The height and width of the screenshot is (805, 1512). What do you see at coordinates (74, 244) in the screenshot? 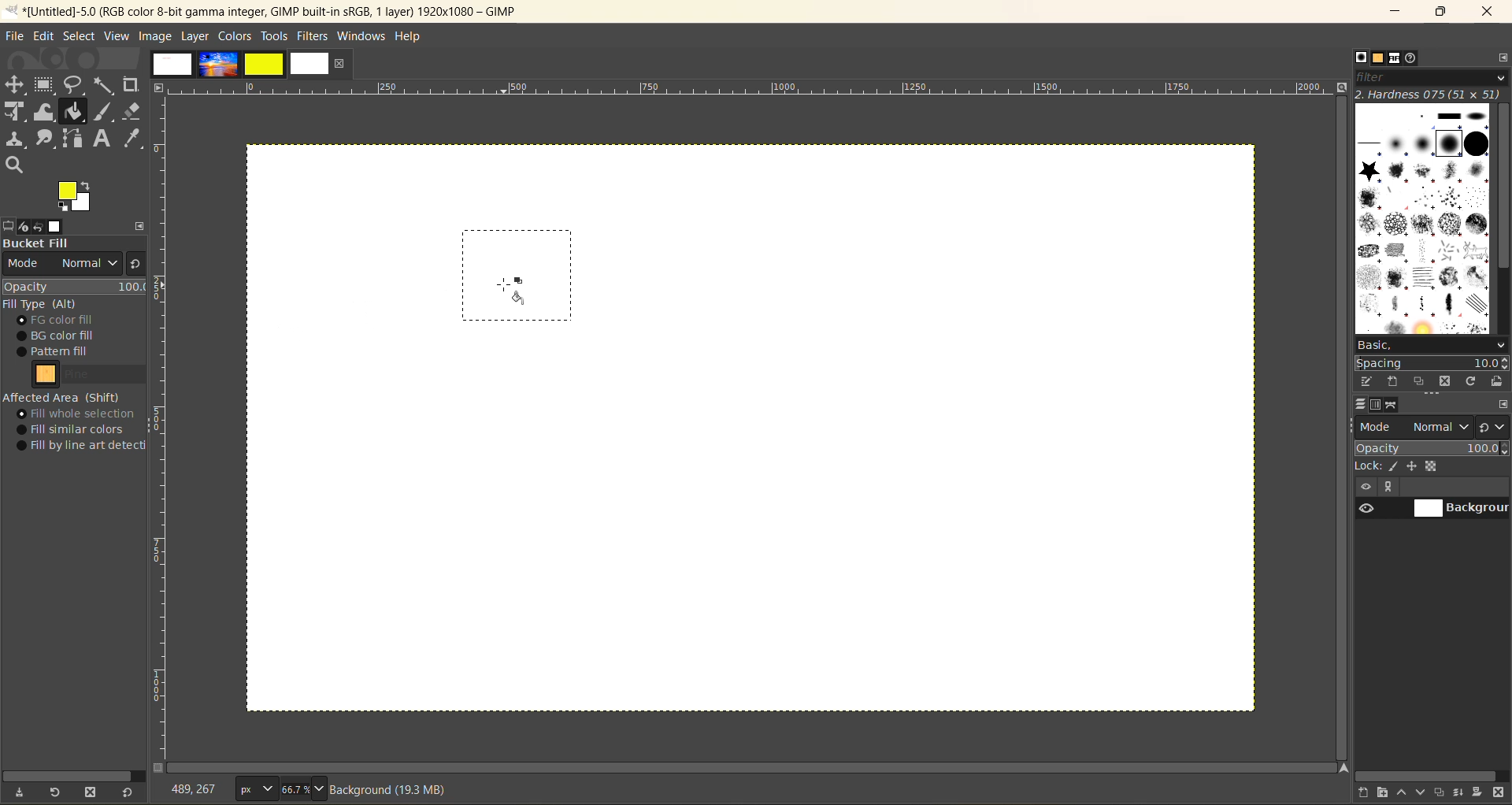
I see `bucket fill` at bounding box center [74, 244].